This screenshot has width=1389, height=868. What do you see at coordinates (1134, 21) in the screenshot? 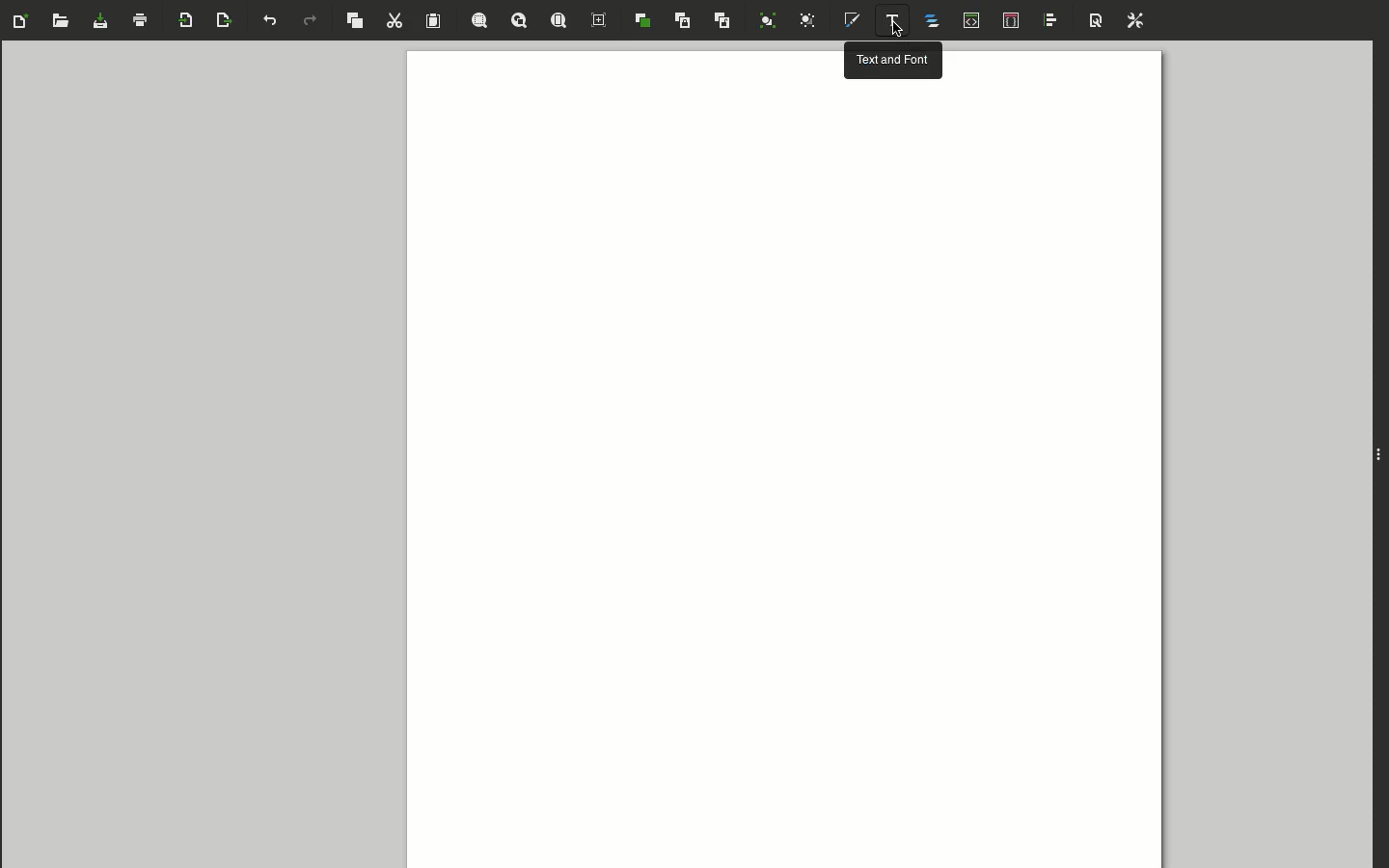
I see `Preferences` at bounding box center [1134, 21].